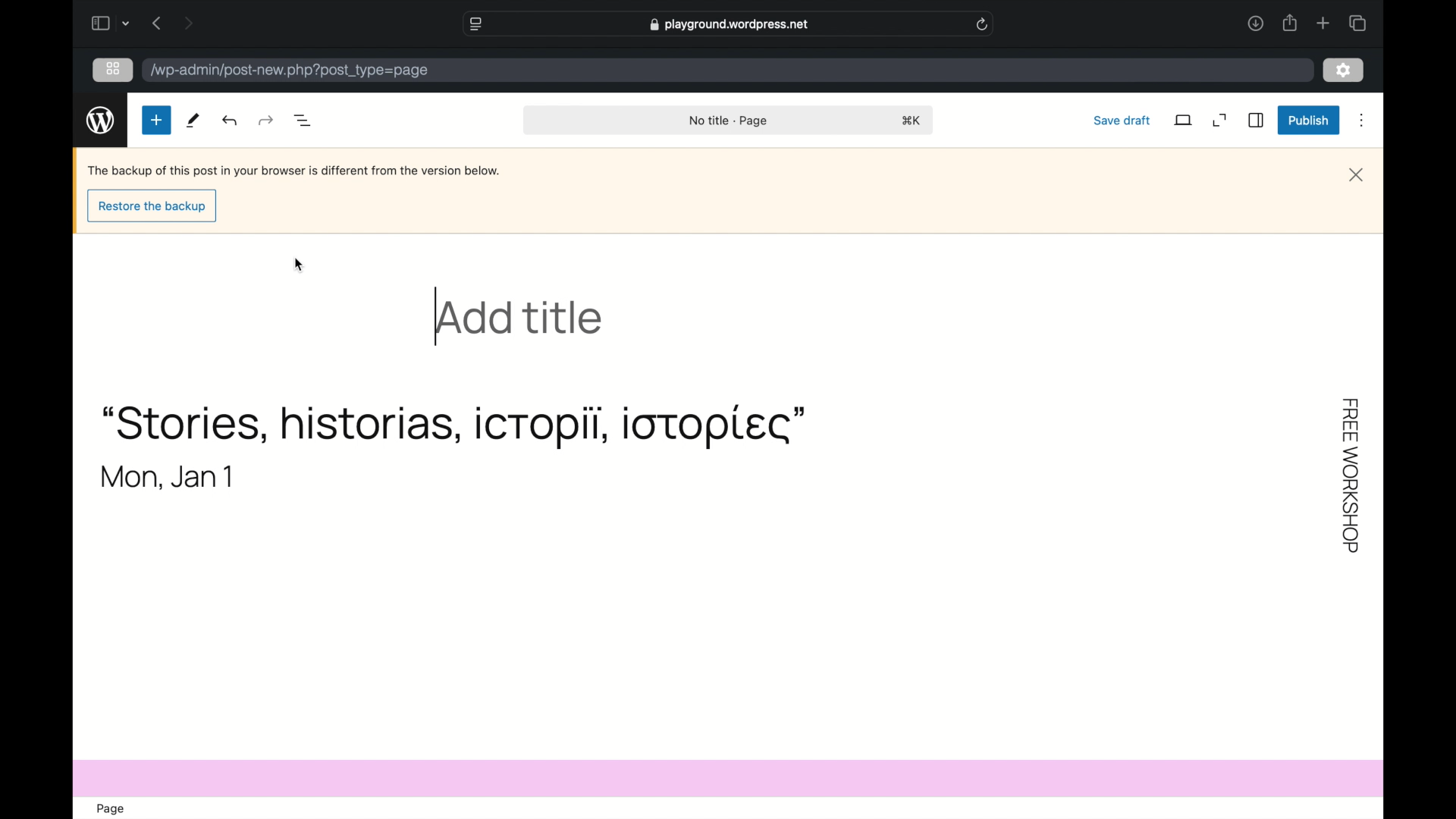  Describe the element at coordinates (982, 25) in the screenshot. I see `refresh` at that location.